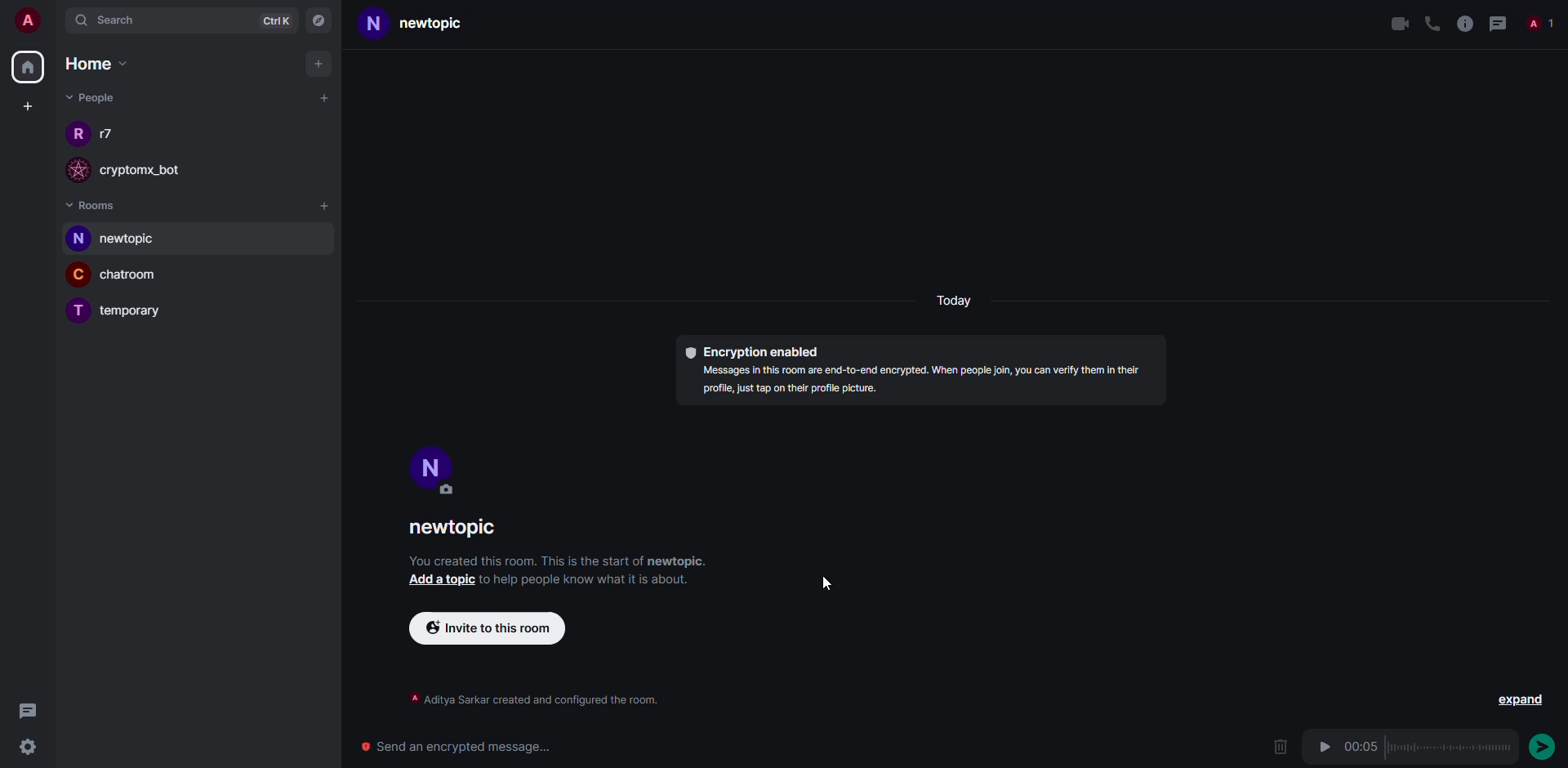 This screenshot has width=1568, height=768. Describe the element at coordinates (133, 312) in the screenshot. I see `room` at that location.